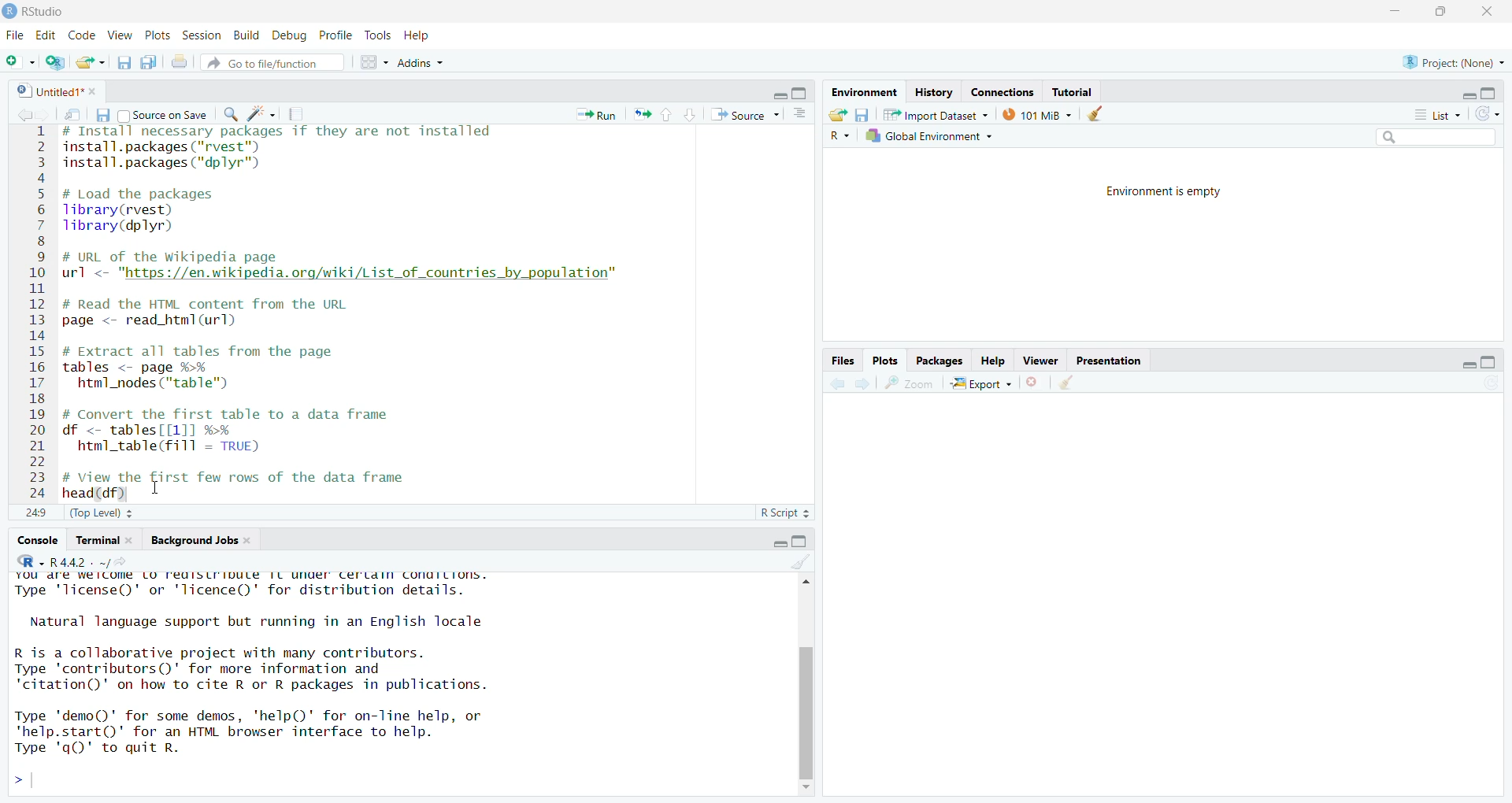  Describe the element at coordinates (804, 581) in the screenshot. I see `scroll up` at that location.